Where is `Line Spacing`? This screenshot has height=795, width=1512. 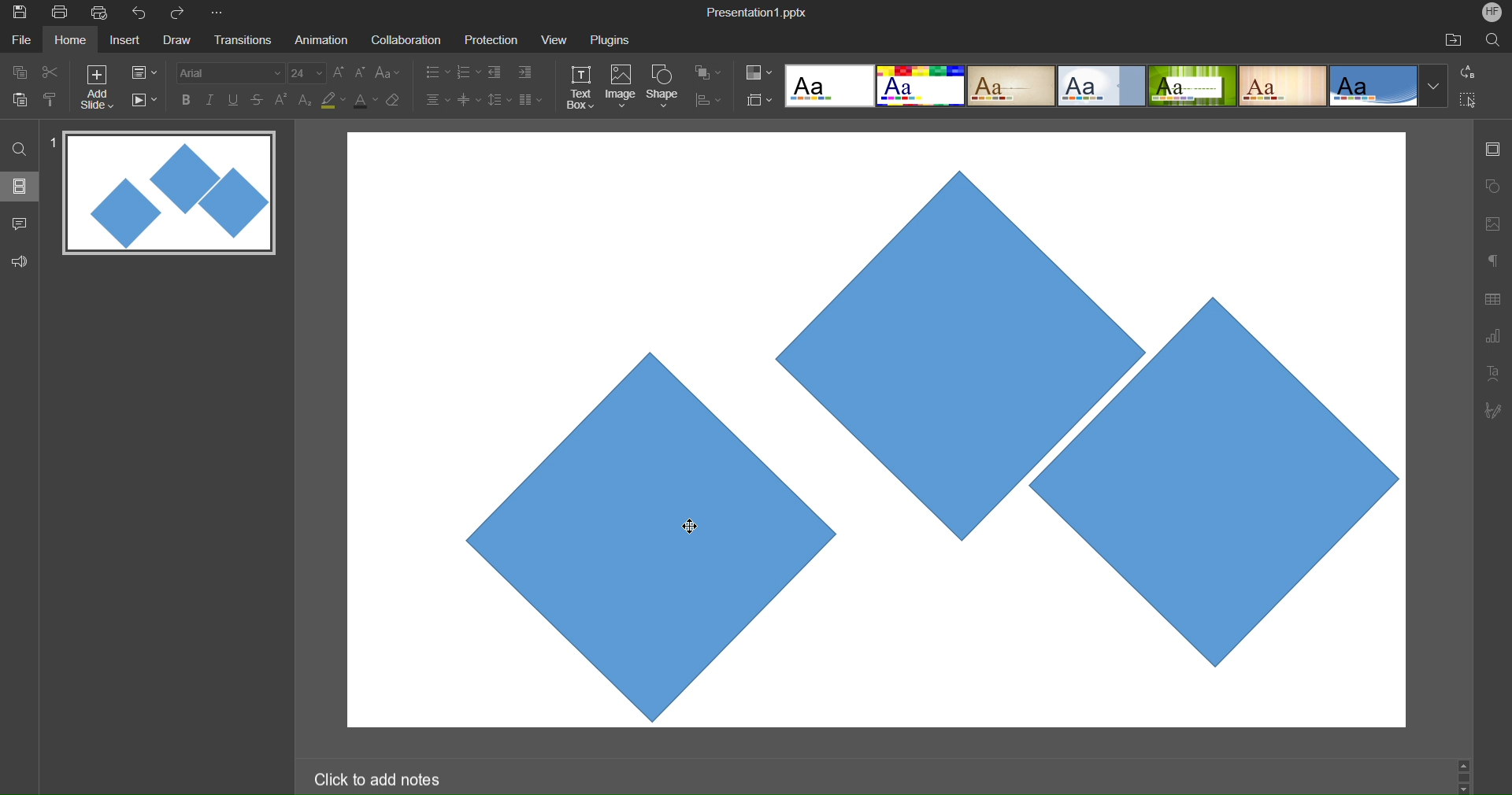 Line Spacing is located at coordinates (498, 101).